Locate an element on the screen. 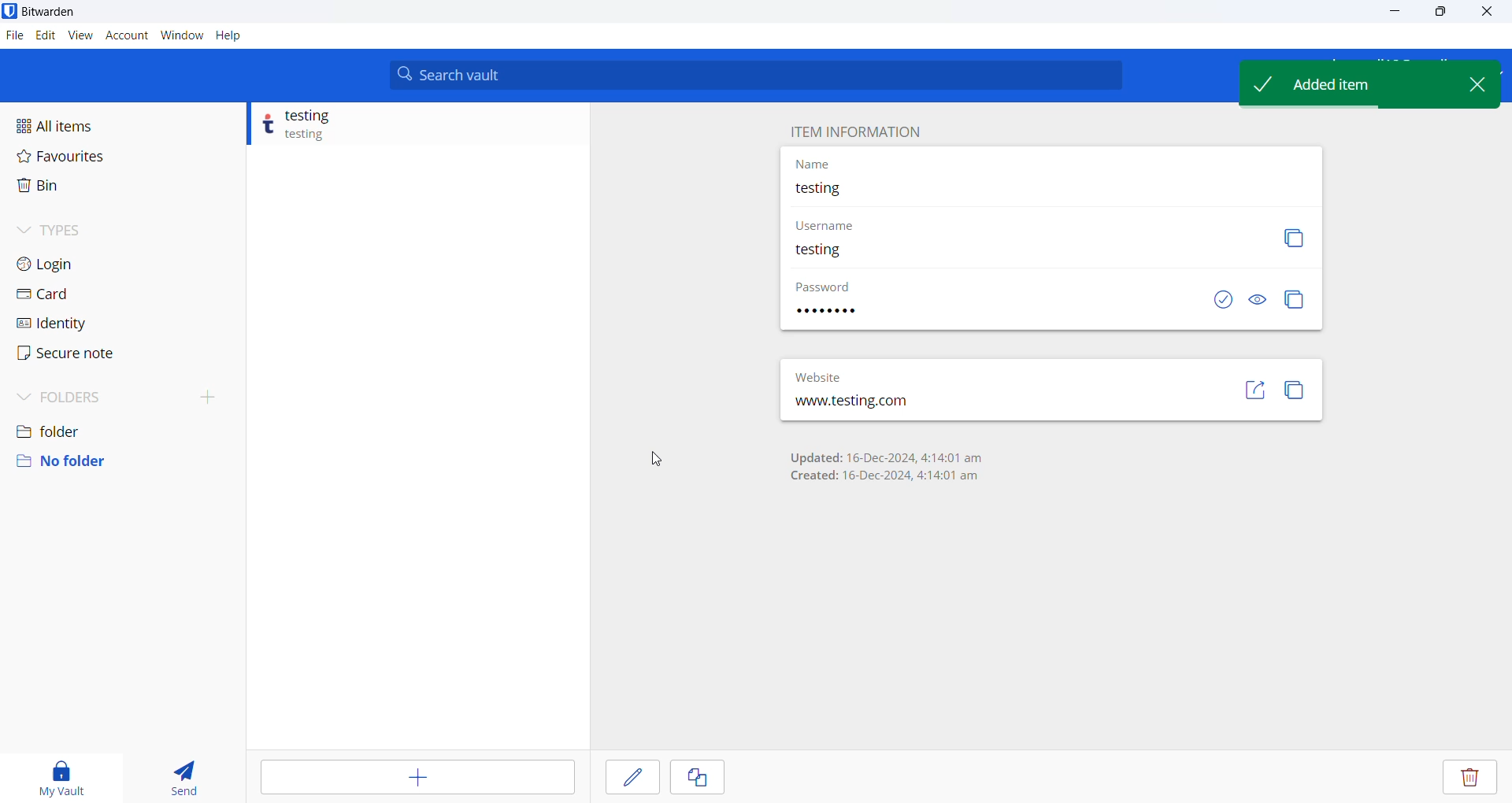  website URL "www.testing.com" is located at coordinates (886, 405).